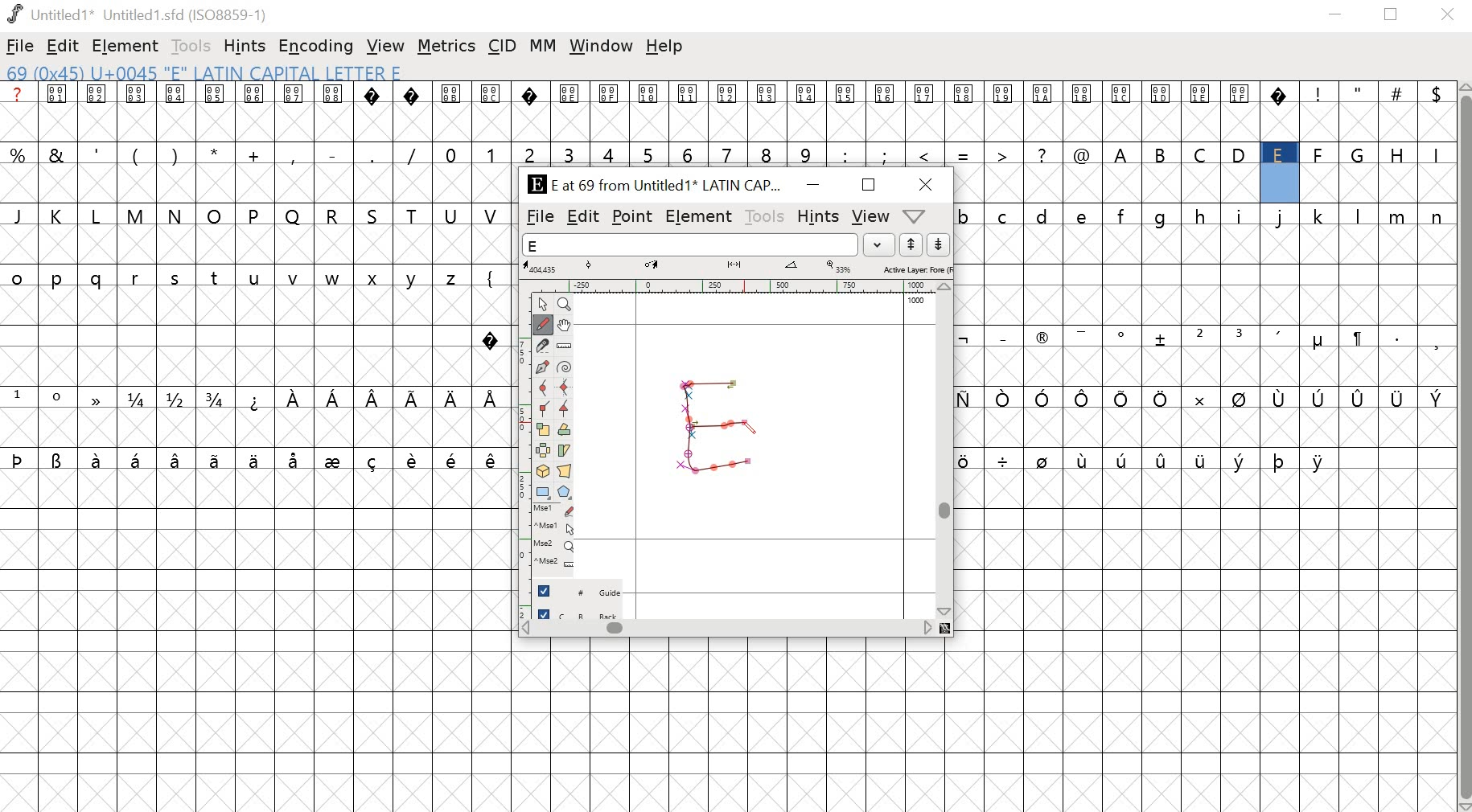  Describe the element at coordinates (664, 47) in the screenshot. I see `help` at that location.